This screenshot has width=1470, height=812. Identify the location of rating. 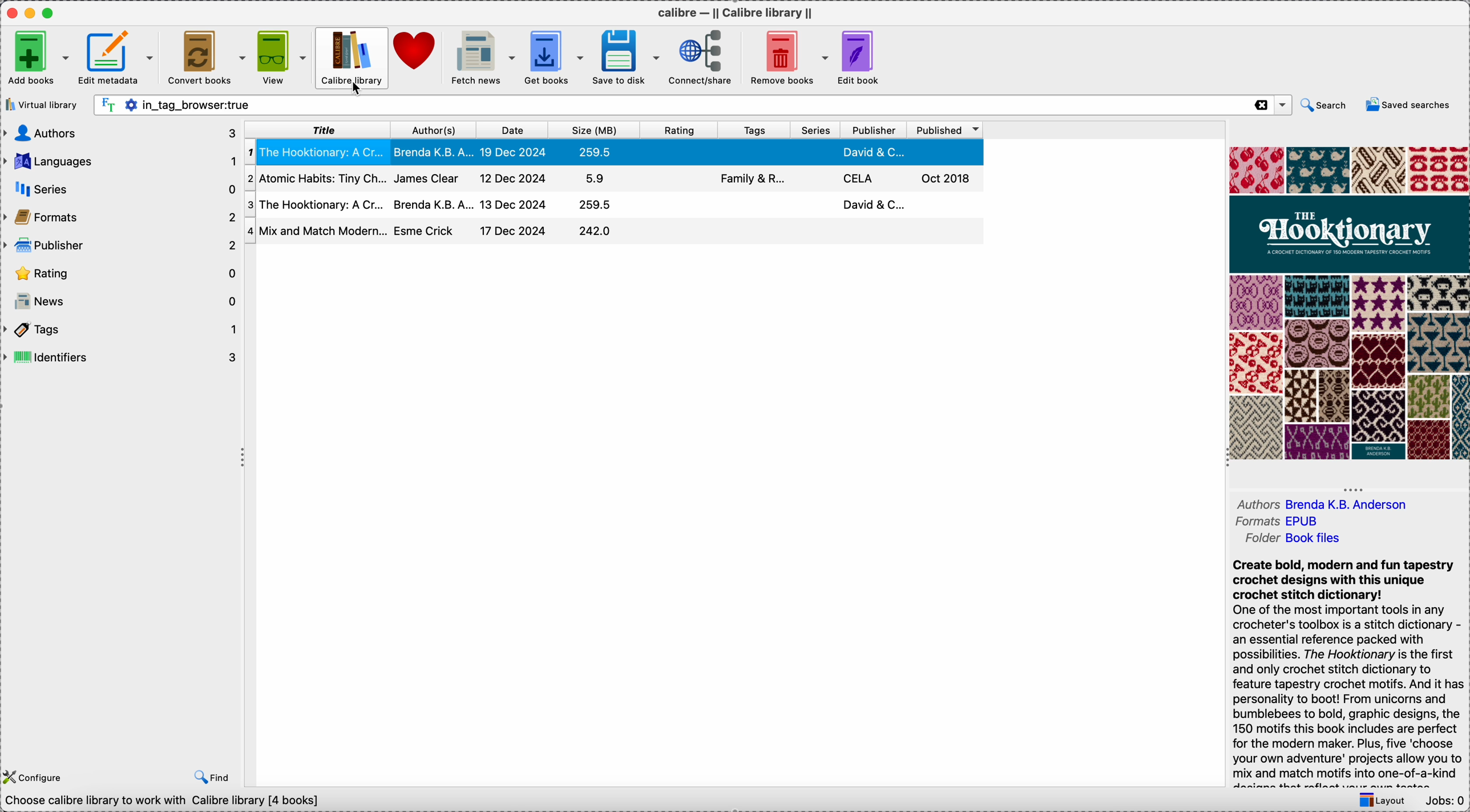
(120, 273).